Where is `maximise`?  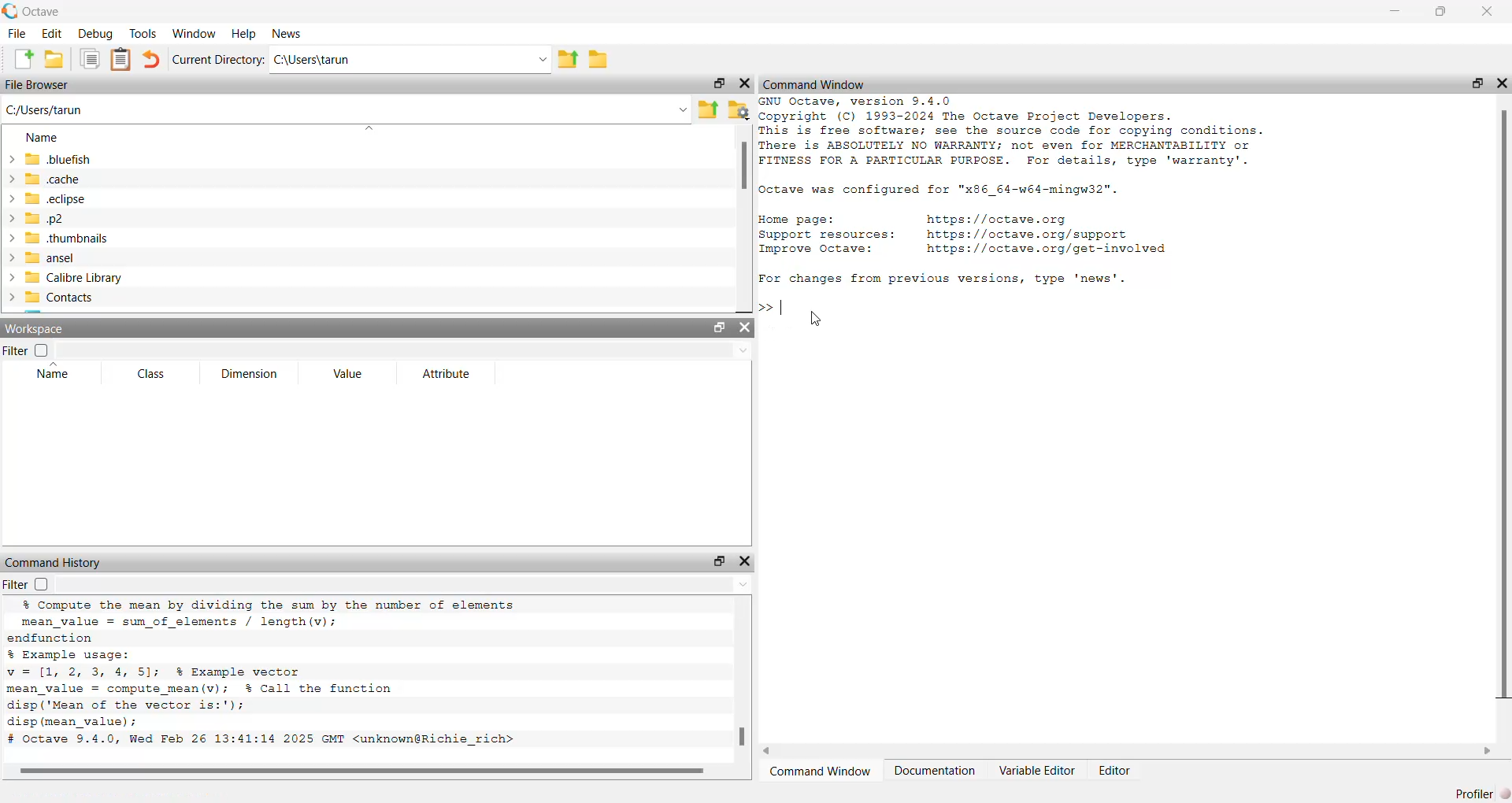
maximise is located at coordinates (1440, 13).